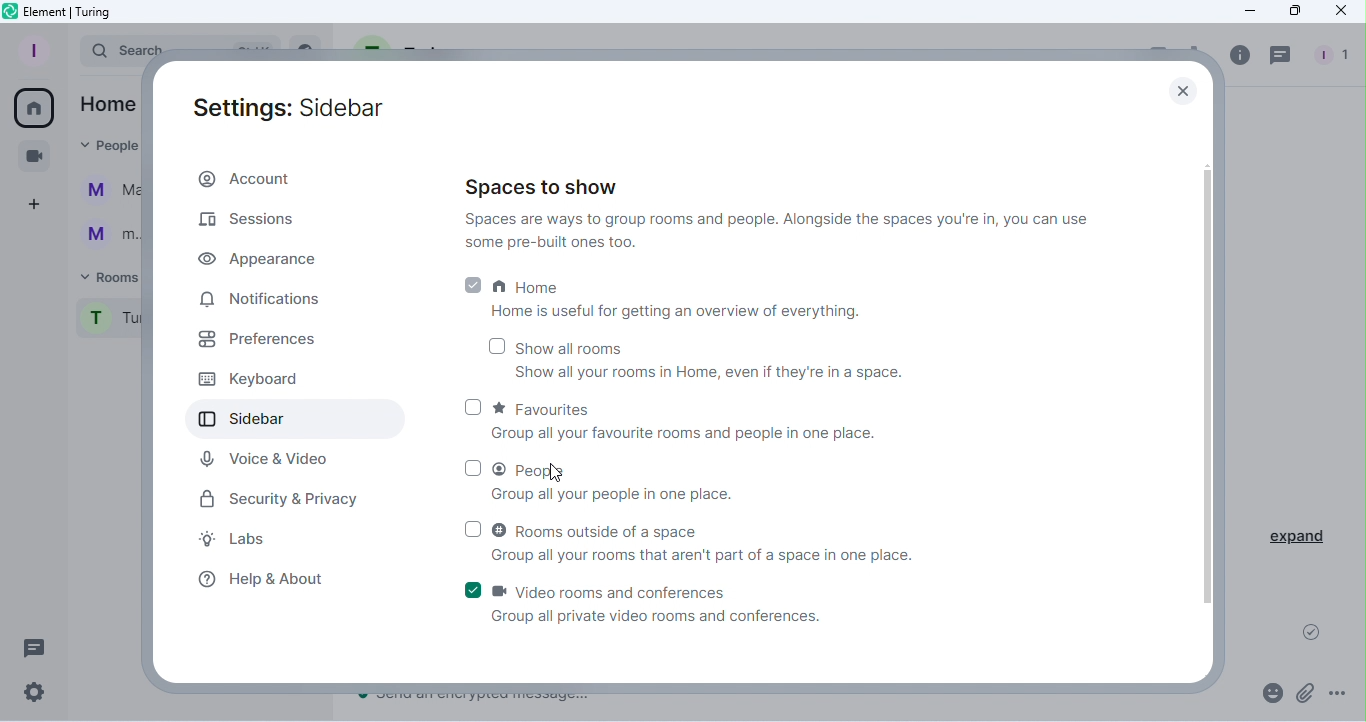 The image size is (1366, 722). Describe the element at coordinates (32, 695) in the screenshot. I see `Quick settings` at that location.